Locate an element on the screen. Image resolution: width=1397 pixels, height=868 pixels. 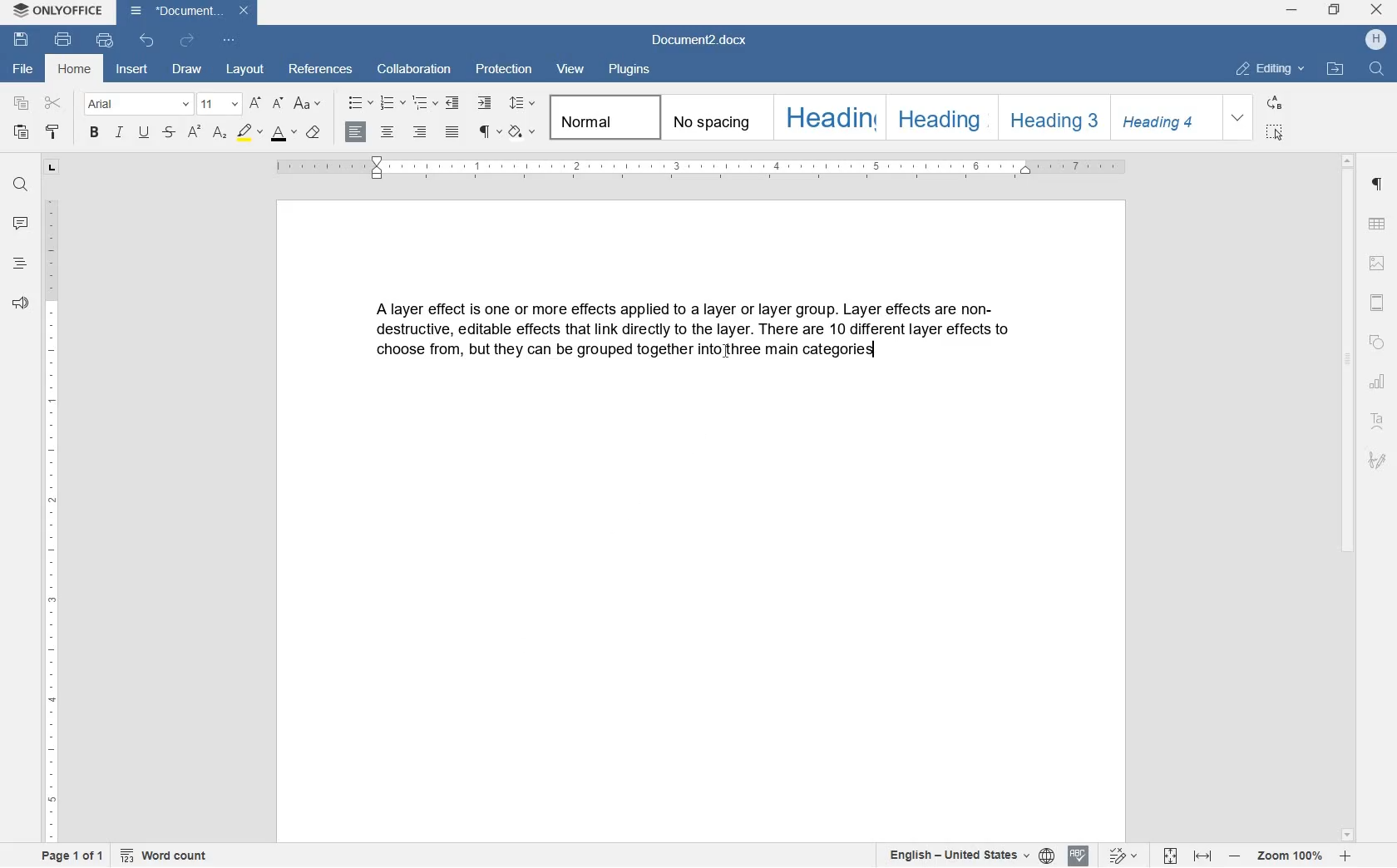
feedback and surpport is located at coordinates (19, 303).